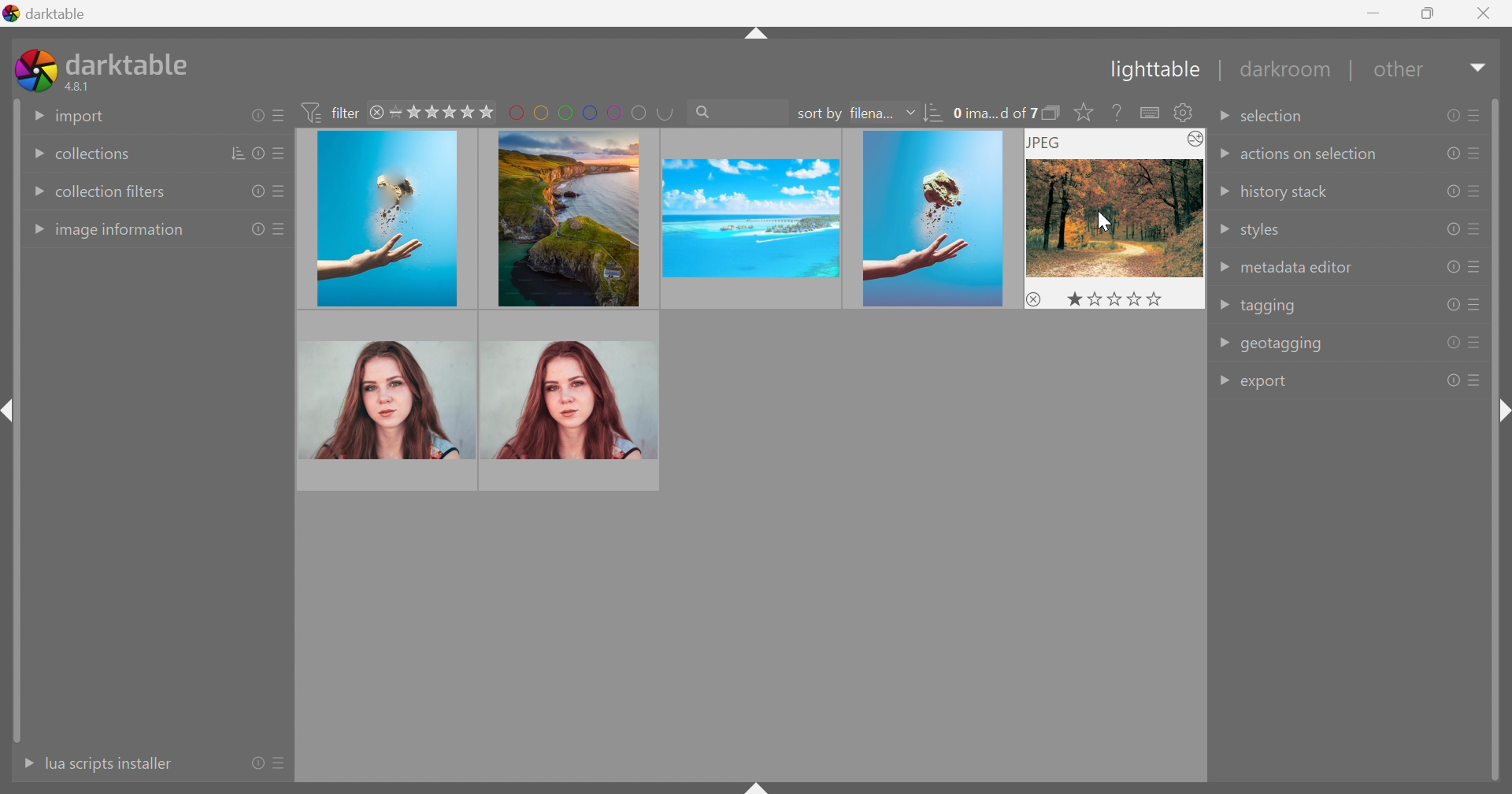 Image resolution: width=1512 pixels, height=794 pixels. I want to click on Drop Down, so click(1225, 268).